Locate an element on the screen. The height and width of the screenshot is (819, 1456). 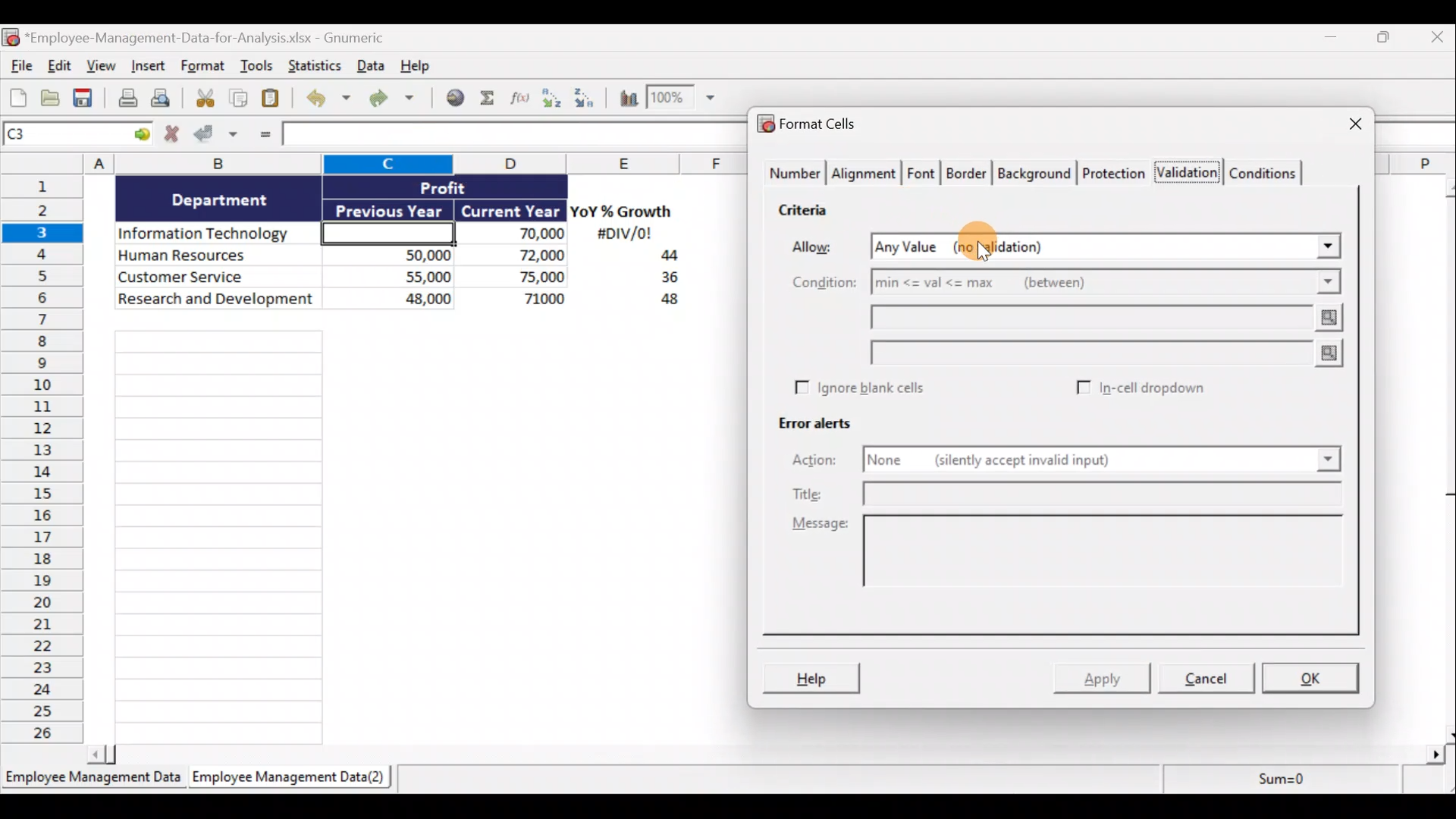
48 is located at coordinates (661, 302).